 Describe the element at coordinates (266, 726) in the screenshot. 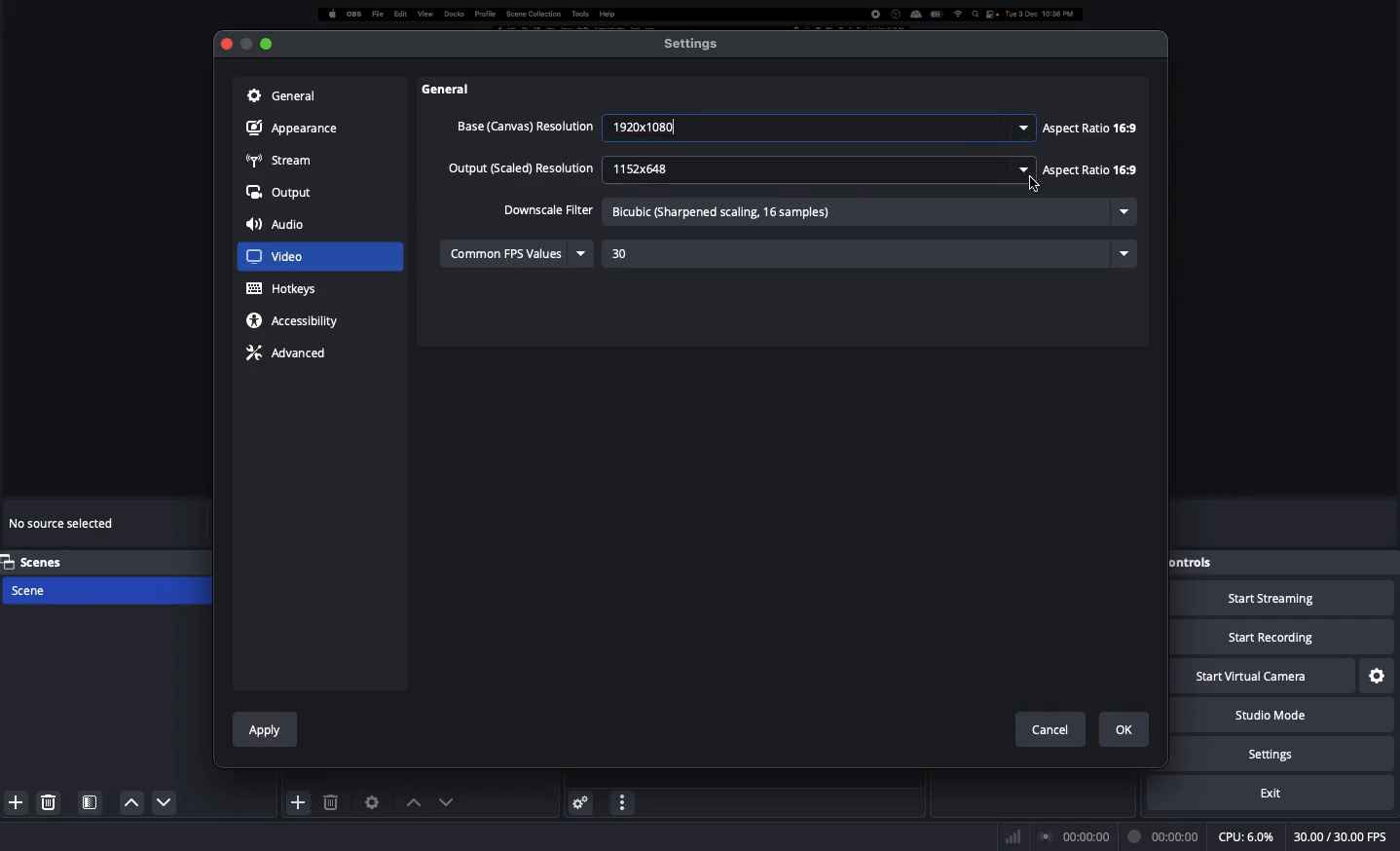

I see `Apply` at that location.